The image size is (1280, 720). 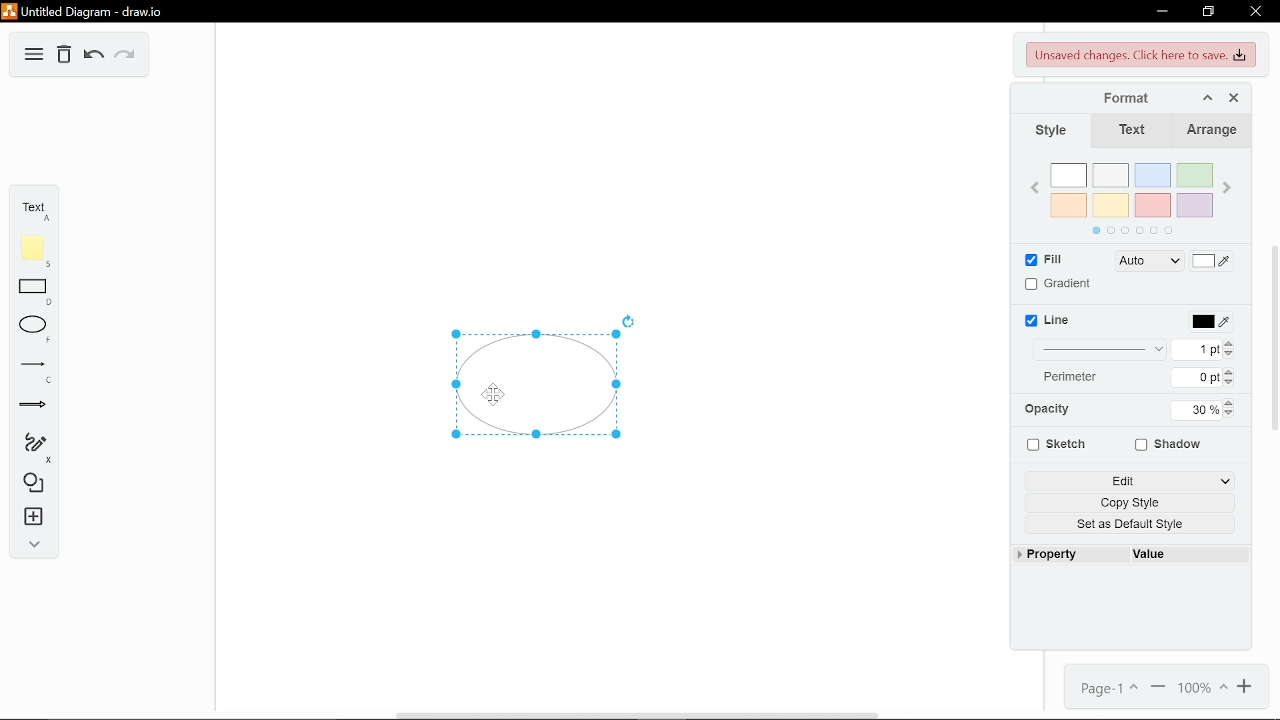 I want to click on Expand collapse, so click(x=33, y=545).